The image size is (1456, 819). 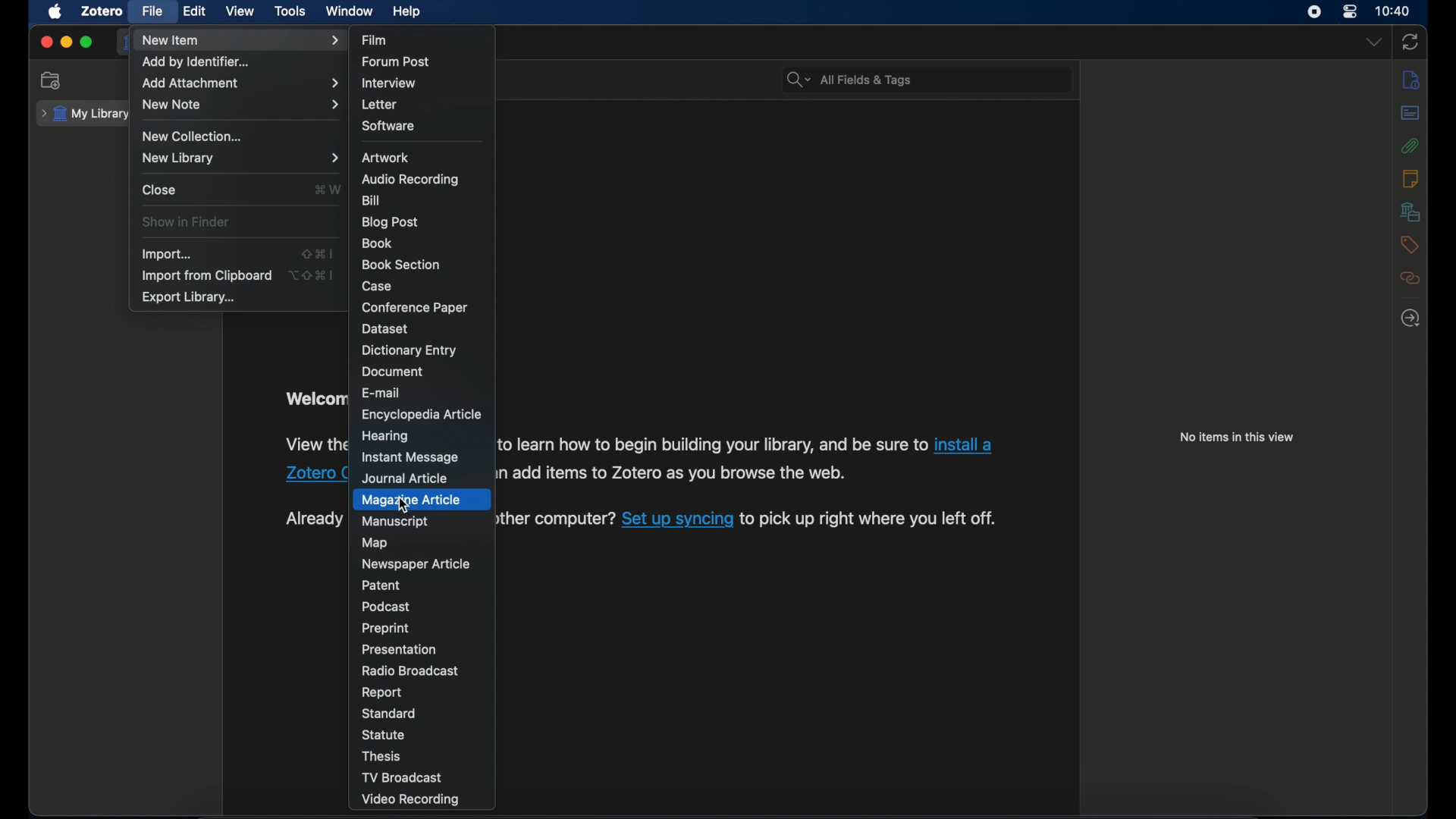 What do you see at coordinates (290, 11) in the screenshot?
I see `tools` at bounding box center [290, 11].